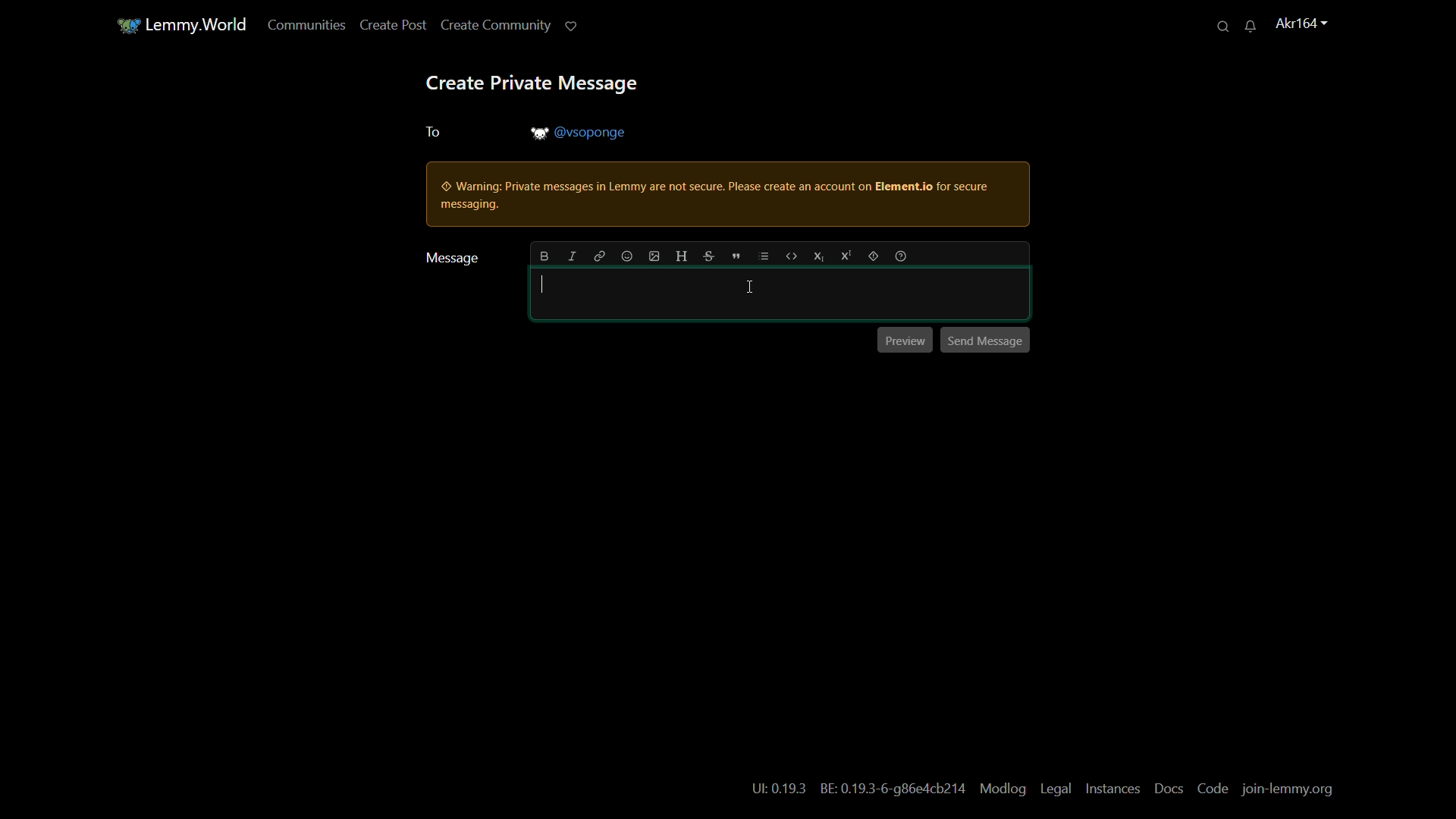 This screenshot has width=1456, height=819. I want to click on subscript, so click(817, 255).